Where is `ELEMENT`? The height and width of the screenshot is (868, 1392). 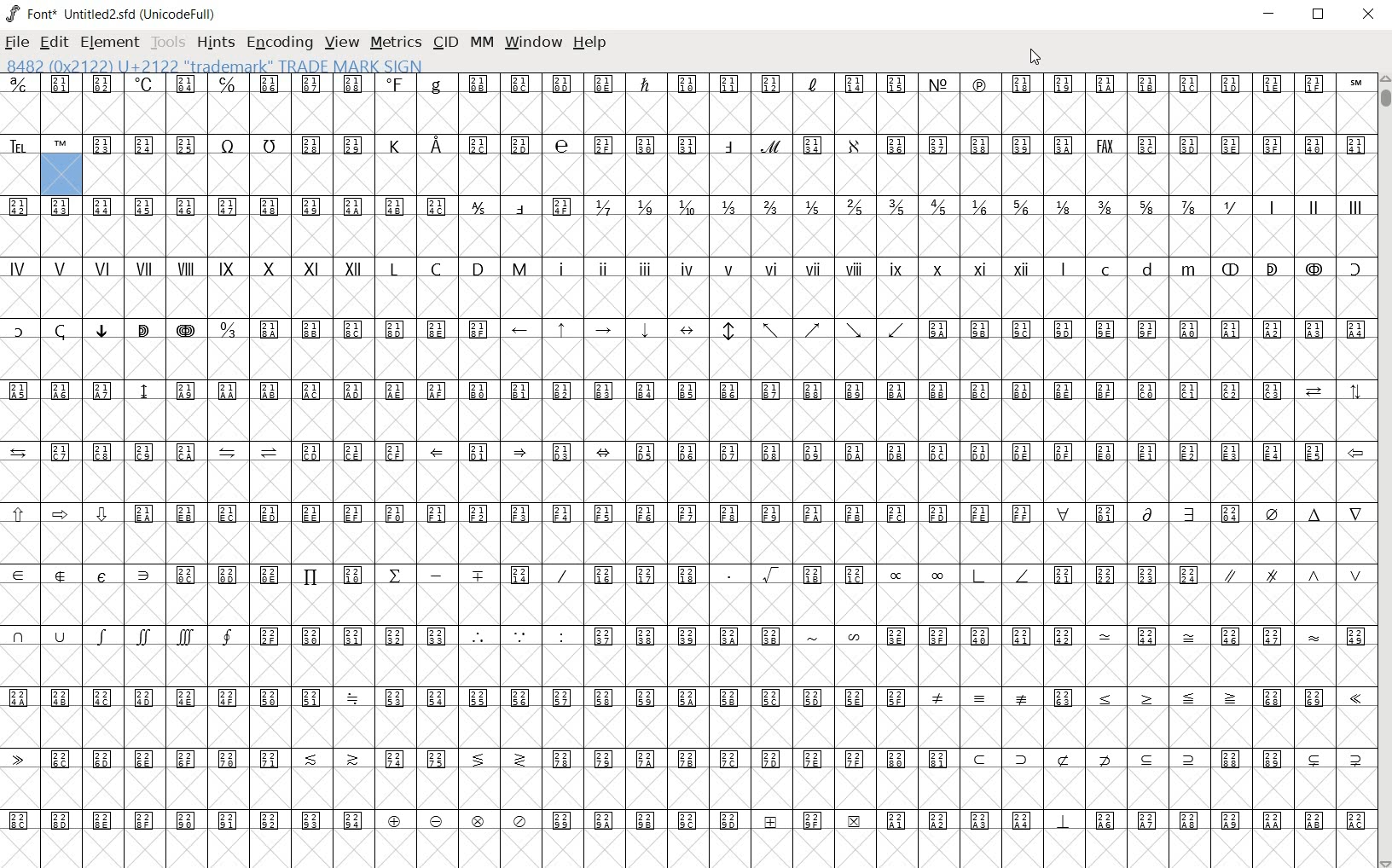 ELEMENT is located at coordinates (111, 44).